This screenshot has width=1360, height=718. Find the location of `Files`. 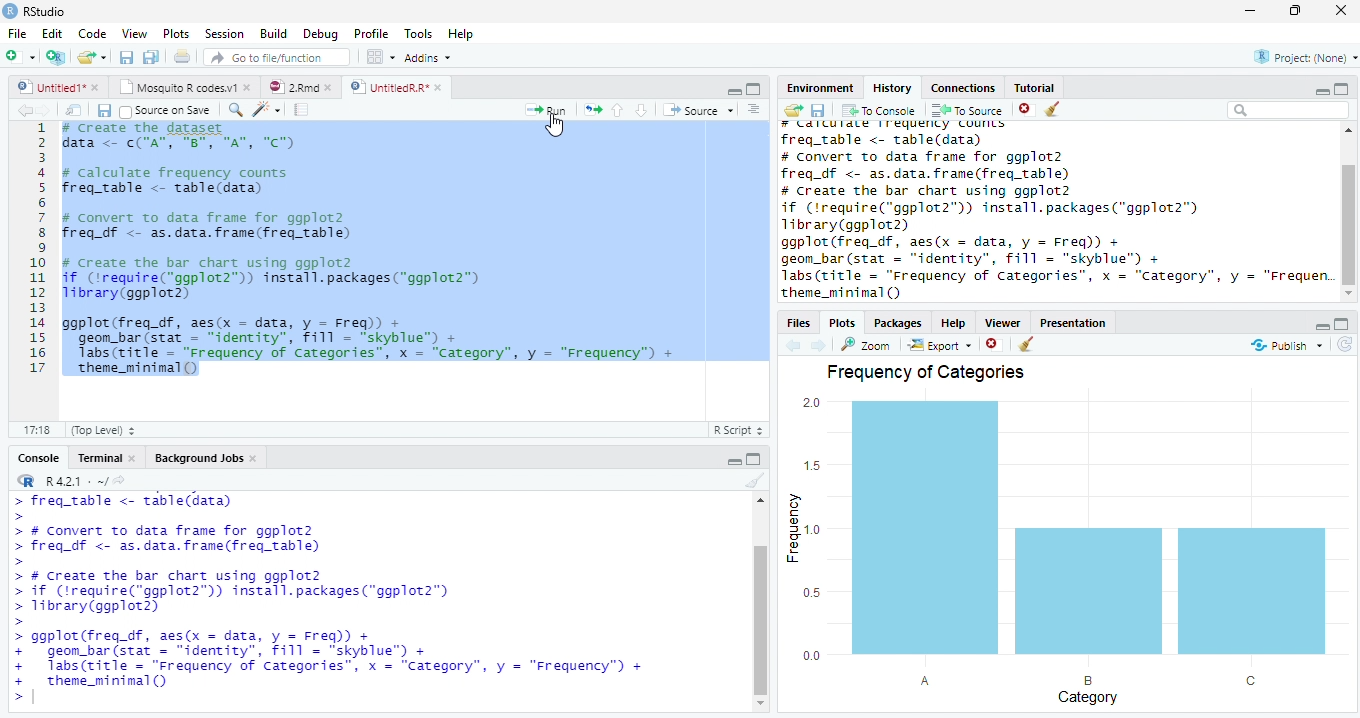

Files is located at coordinates (801, 323).